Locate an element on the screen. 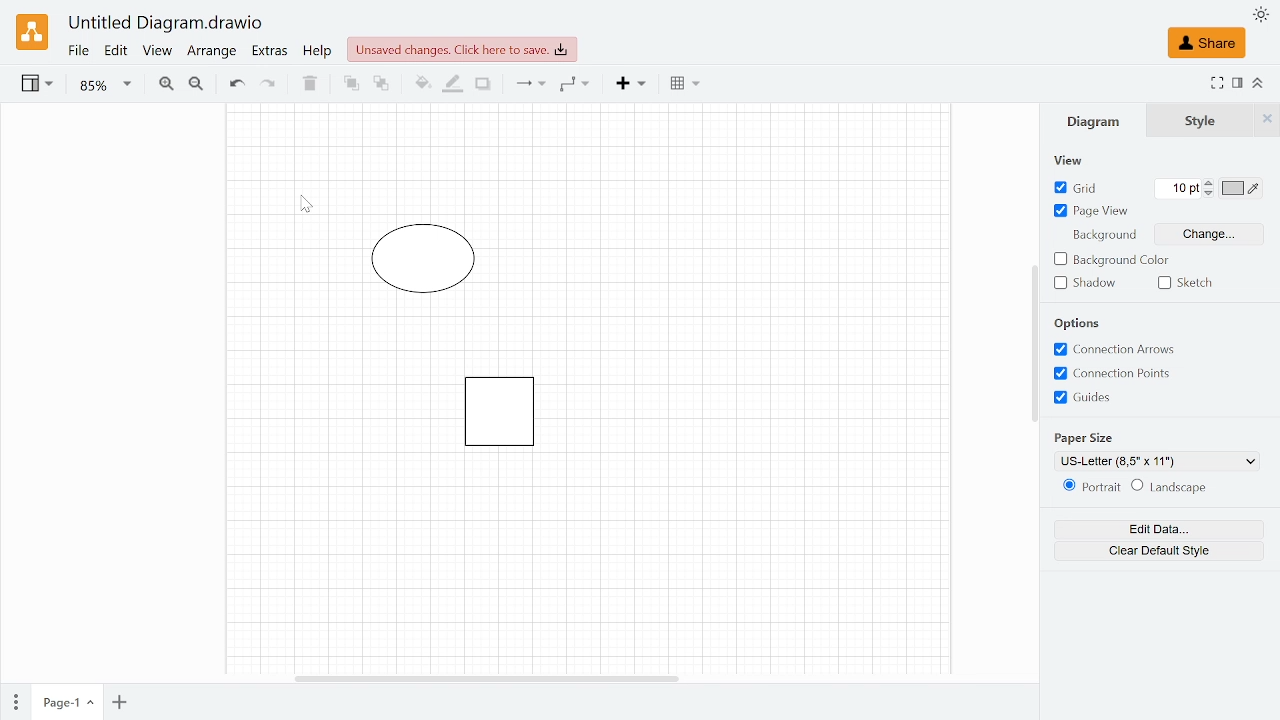 The image size is (1280, 720). paper size is located at coordinates (1088, 439).